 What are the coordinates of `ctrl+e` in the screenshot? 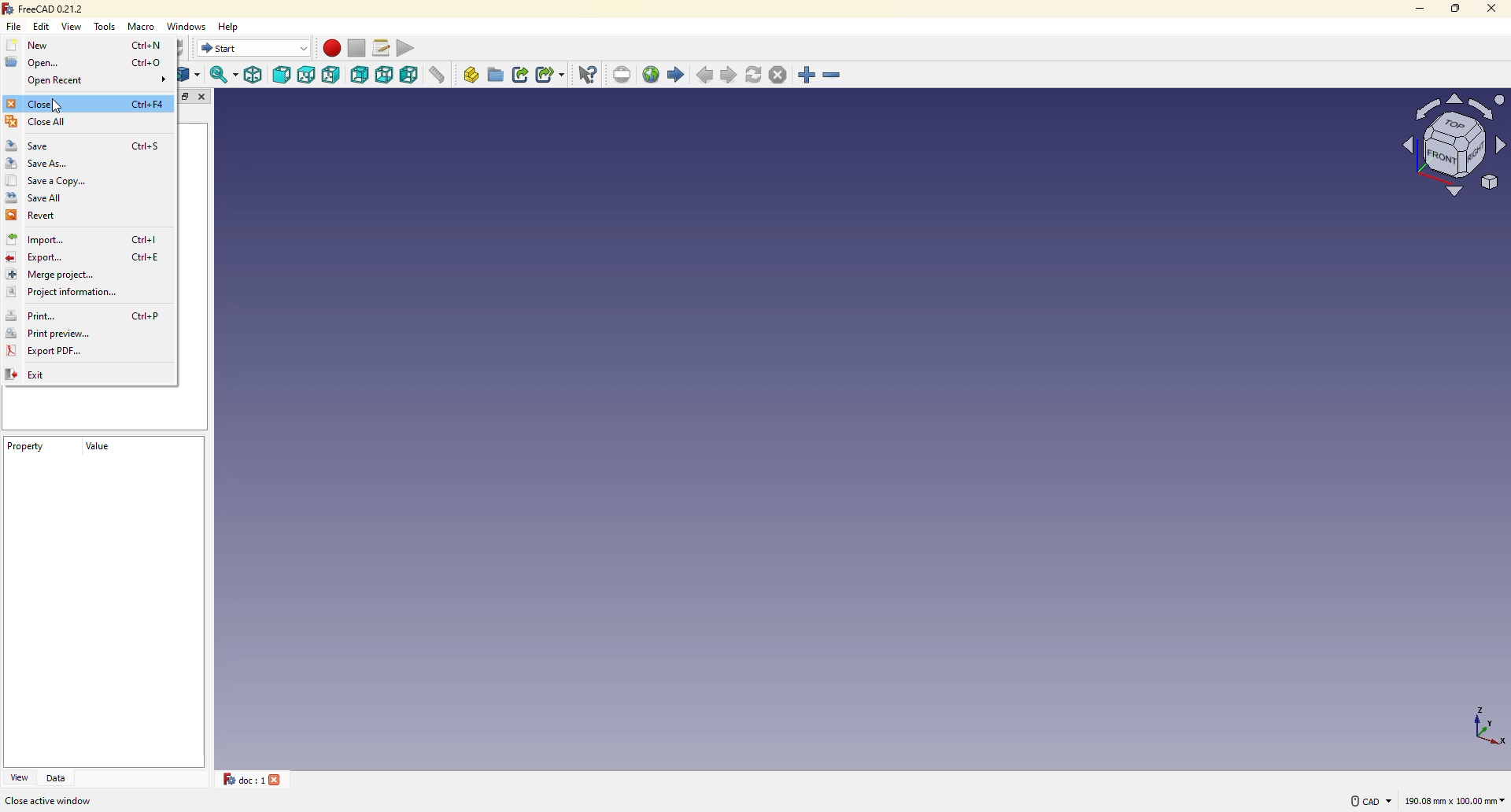 It's located at (146, 258).